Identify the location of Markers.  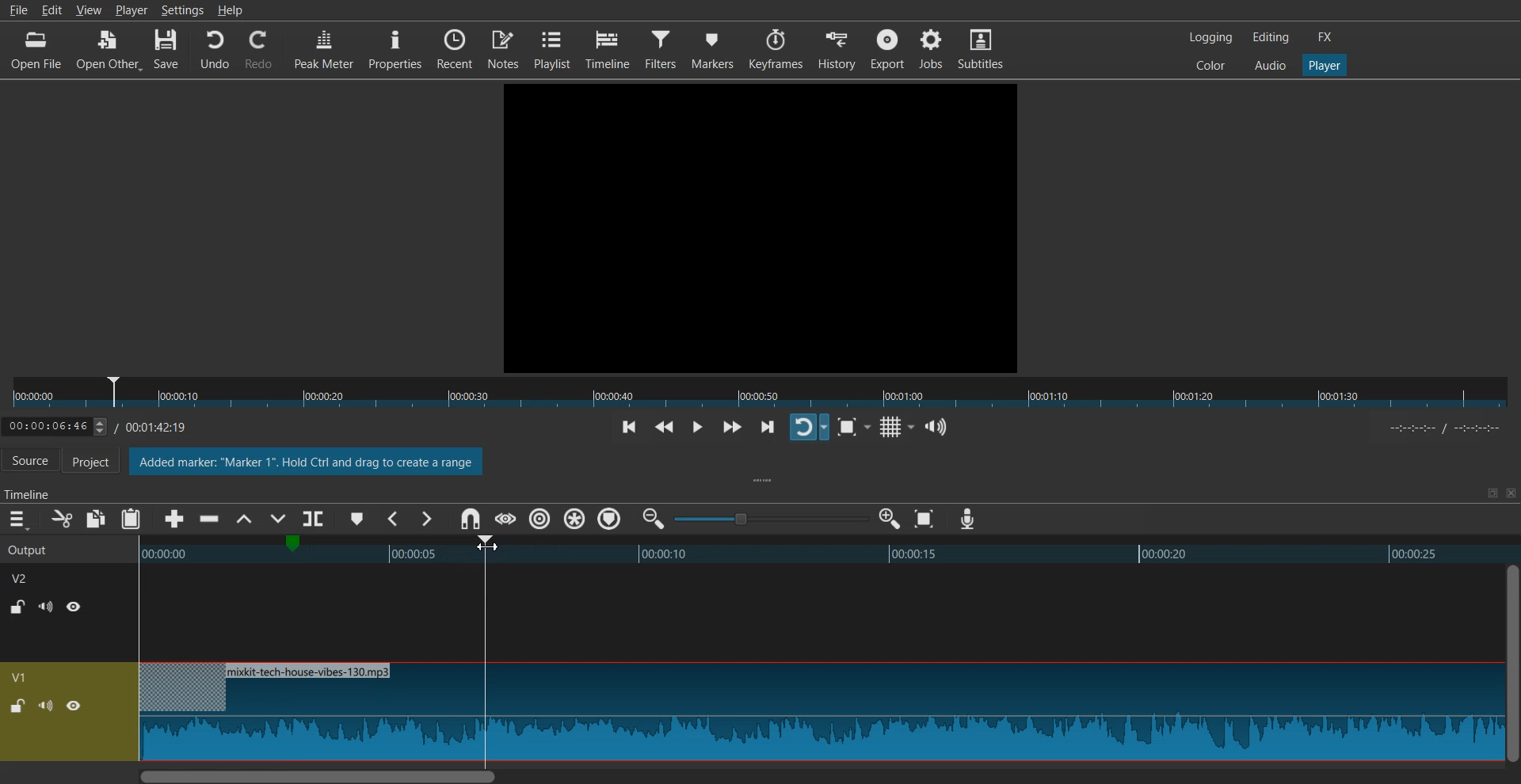
(713, 48).